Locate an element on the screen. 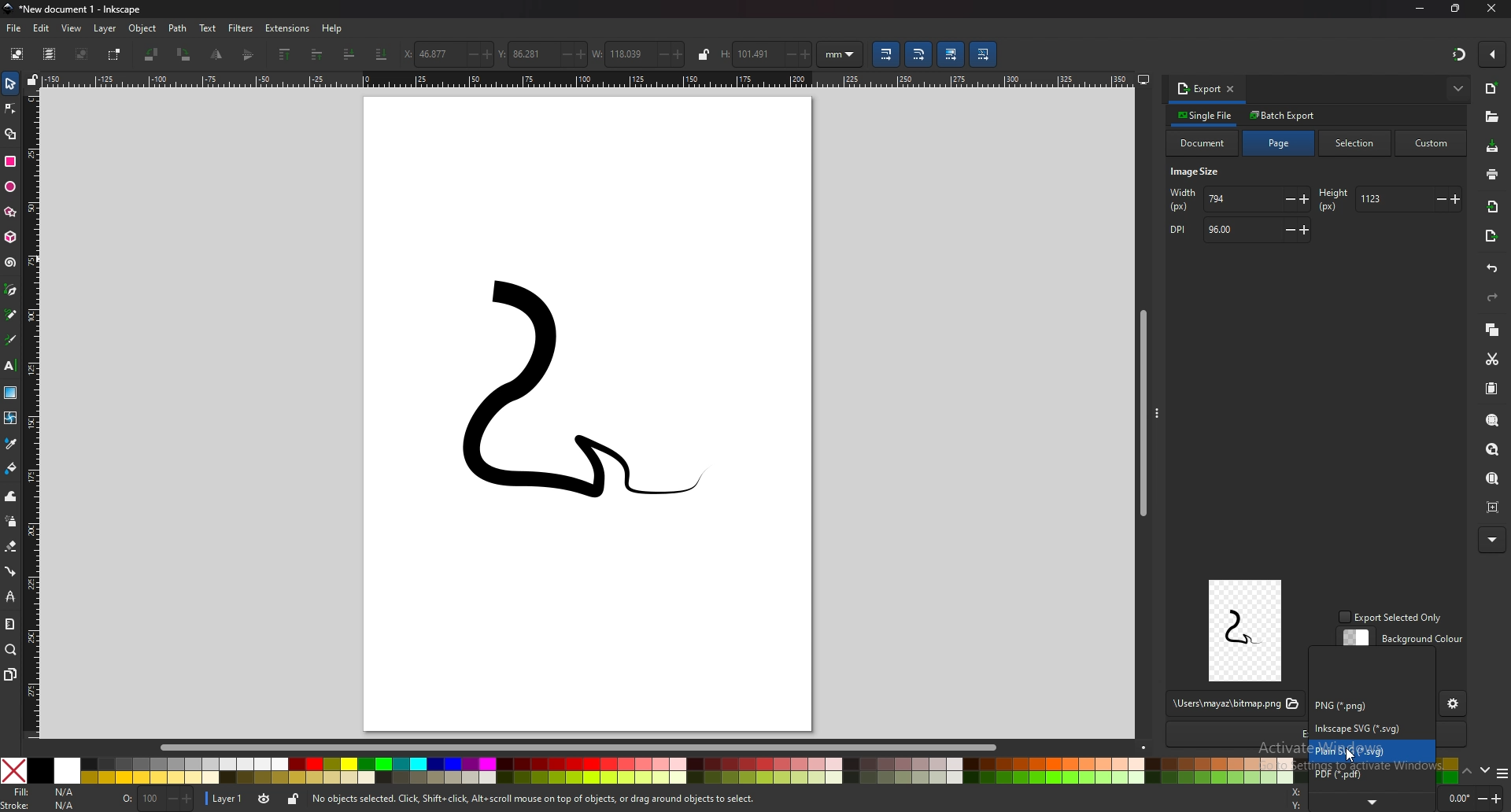 The image size is (1511, 812). path is located at coordinates (178, 28).